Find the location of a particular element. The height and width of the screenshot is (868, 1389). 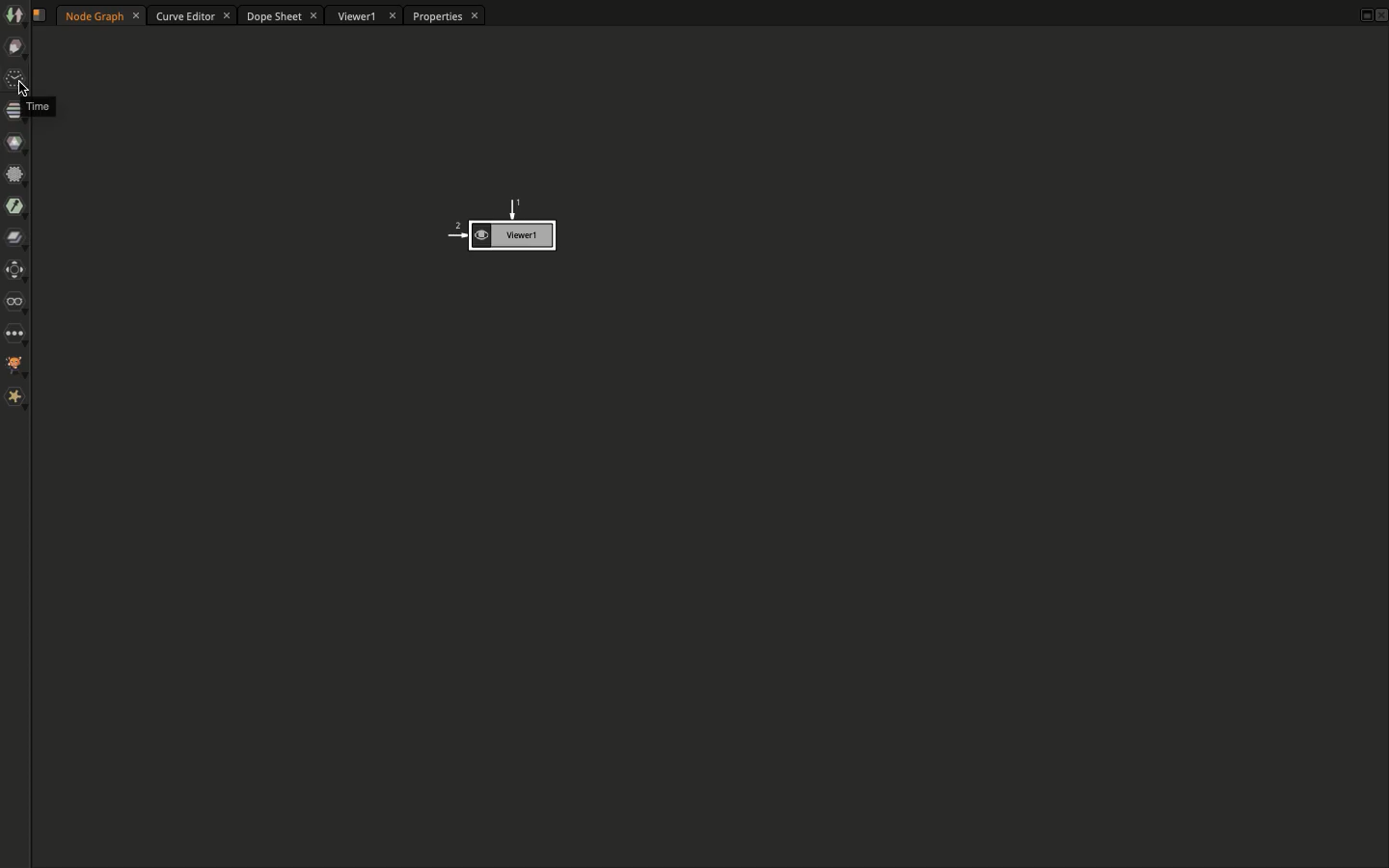

Dope sheet is located at coordinates (283, 17).